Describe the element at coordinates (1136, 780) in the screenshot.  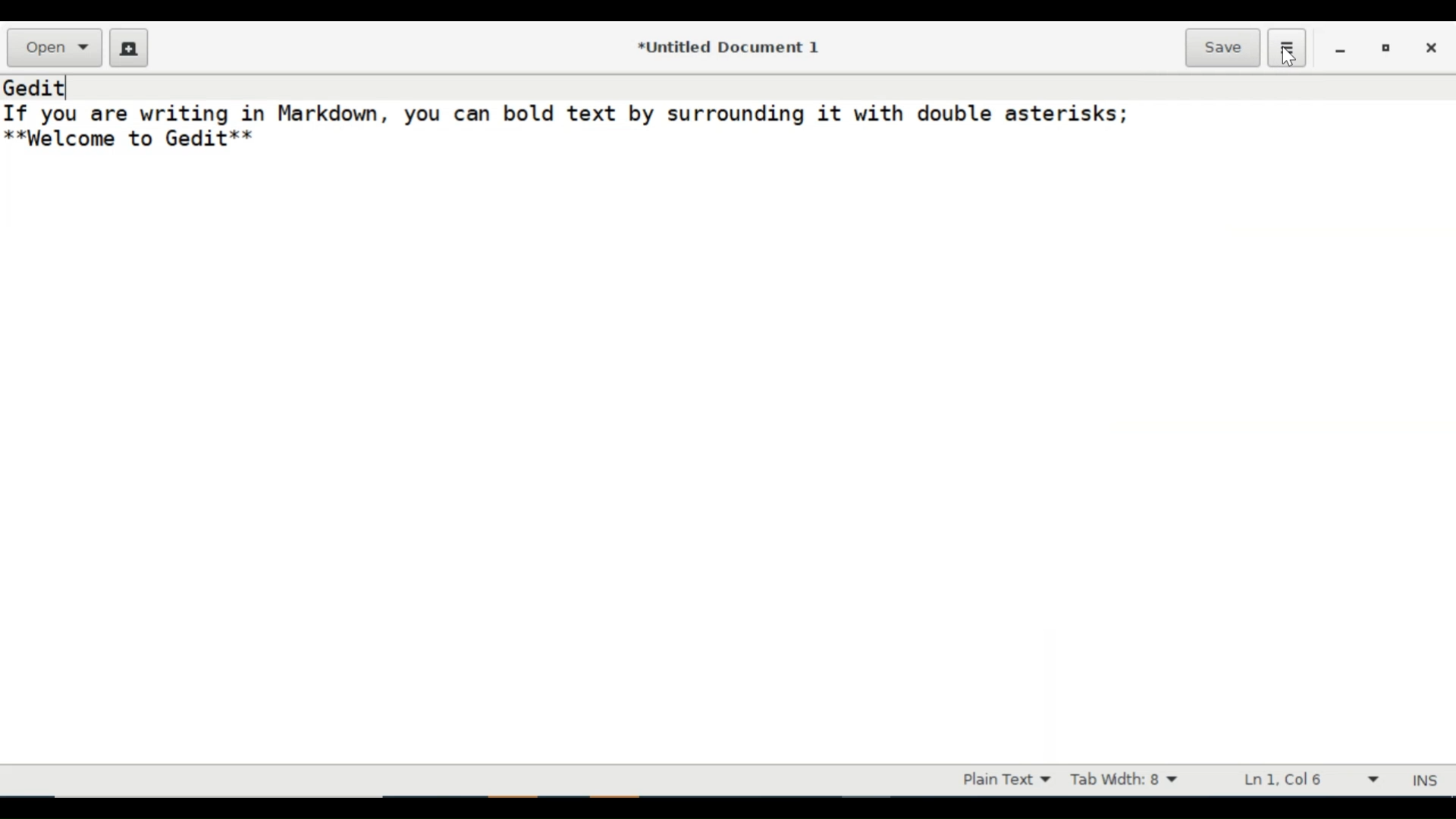
I see `Tab Width` at that location.